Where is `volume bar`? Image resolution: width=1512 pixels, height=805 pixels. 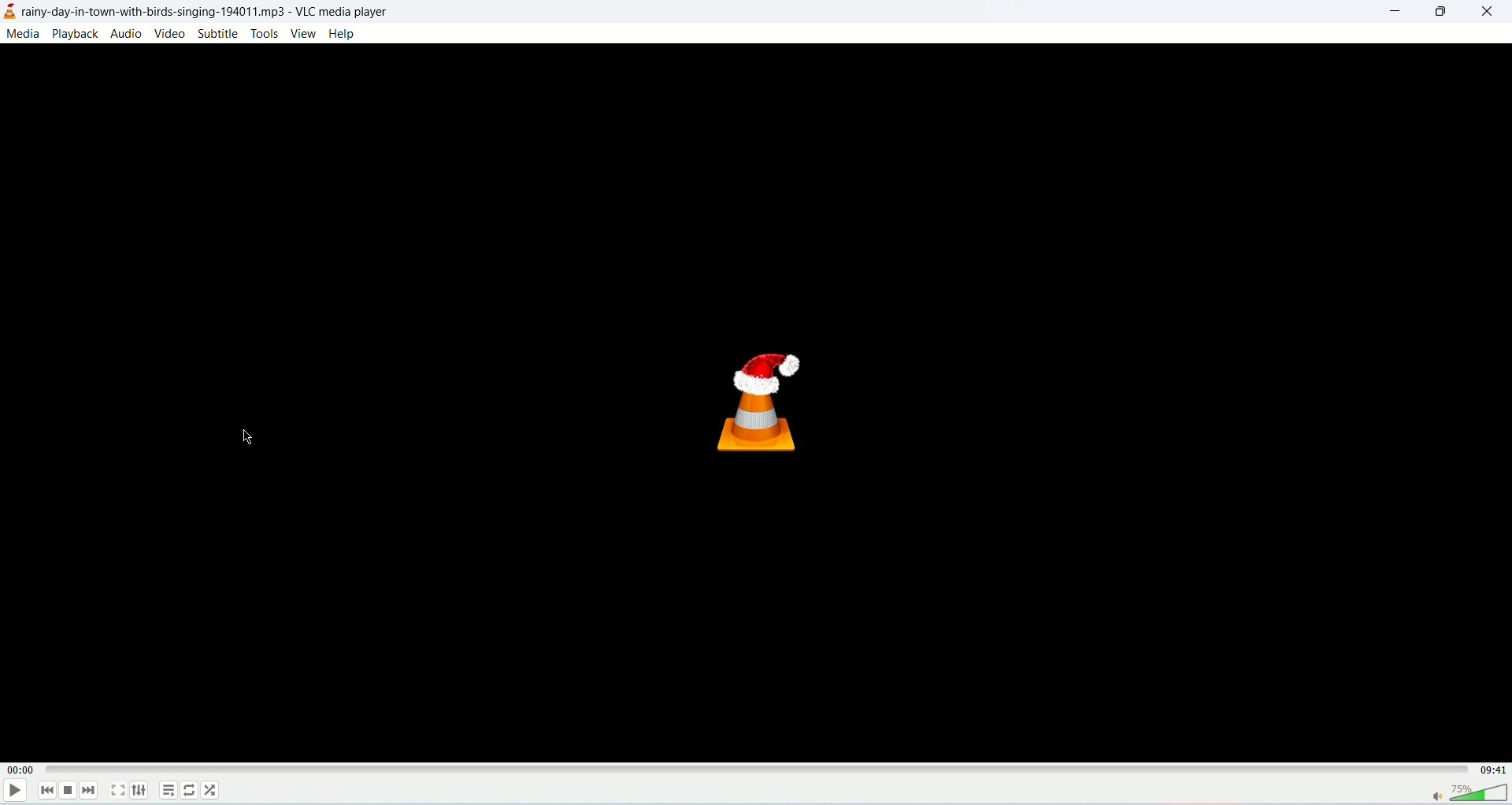
volume bar is located at coordinates (1469, 793).